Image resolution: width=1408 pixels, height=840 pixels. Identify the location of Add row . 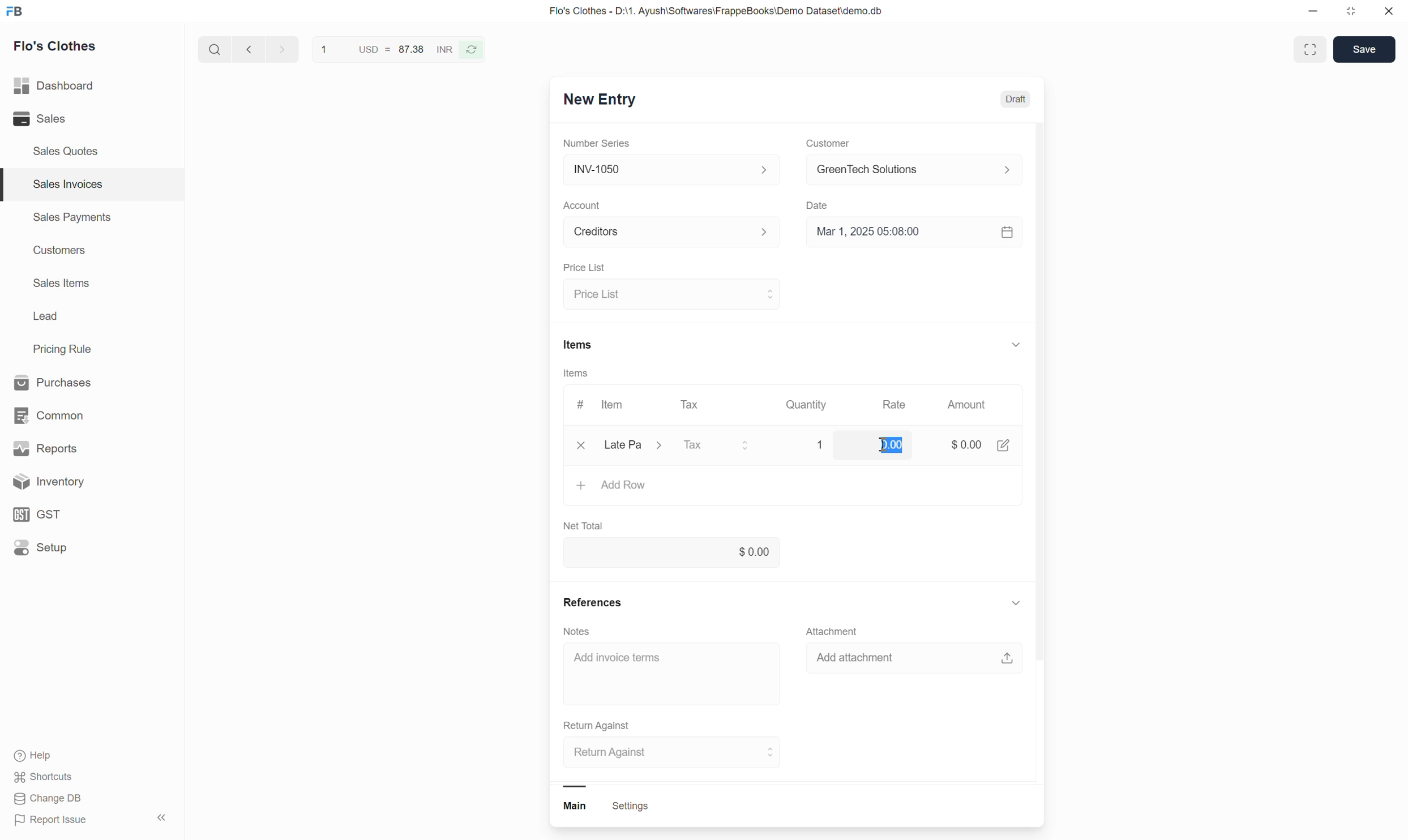
(625, 483).